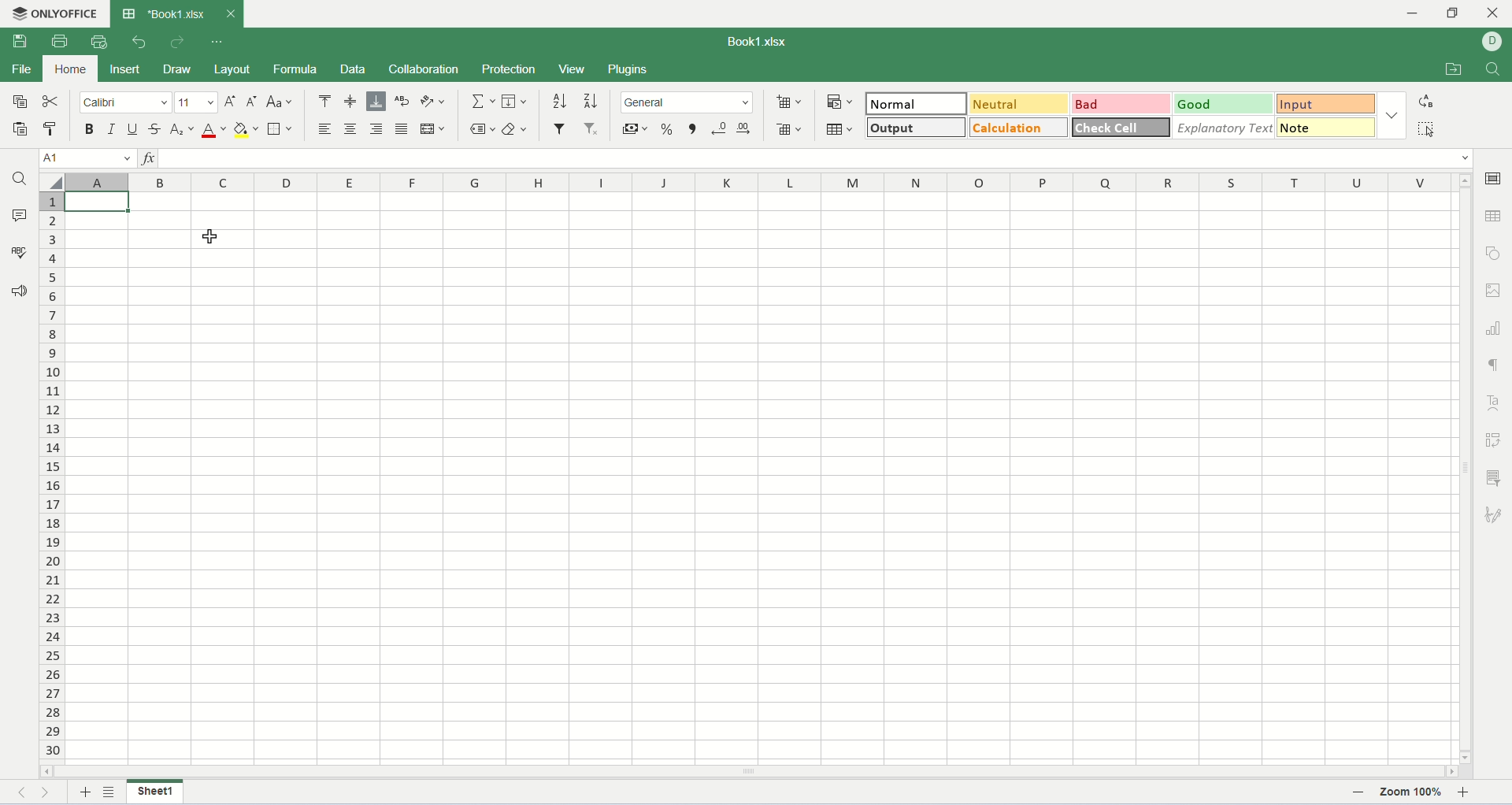 Image resolution: width=1512 pixels, height=805 pixels. I want to click on backgroun color, so click(247, 128).